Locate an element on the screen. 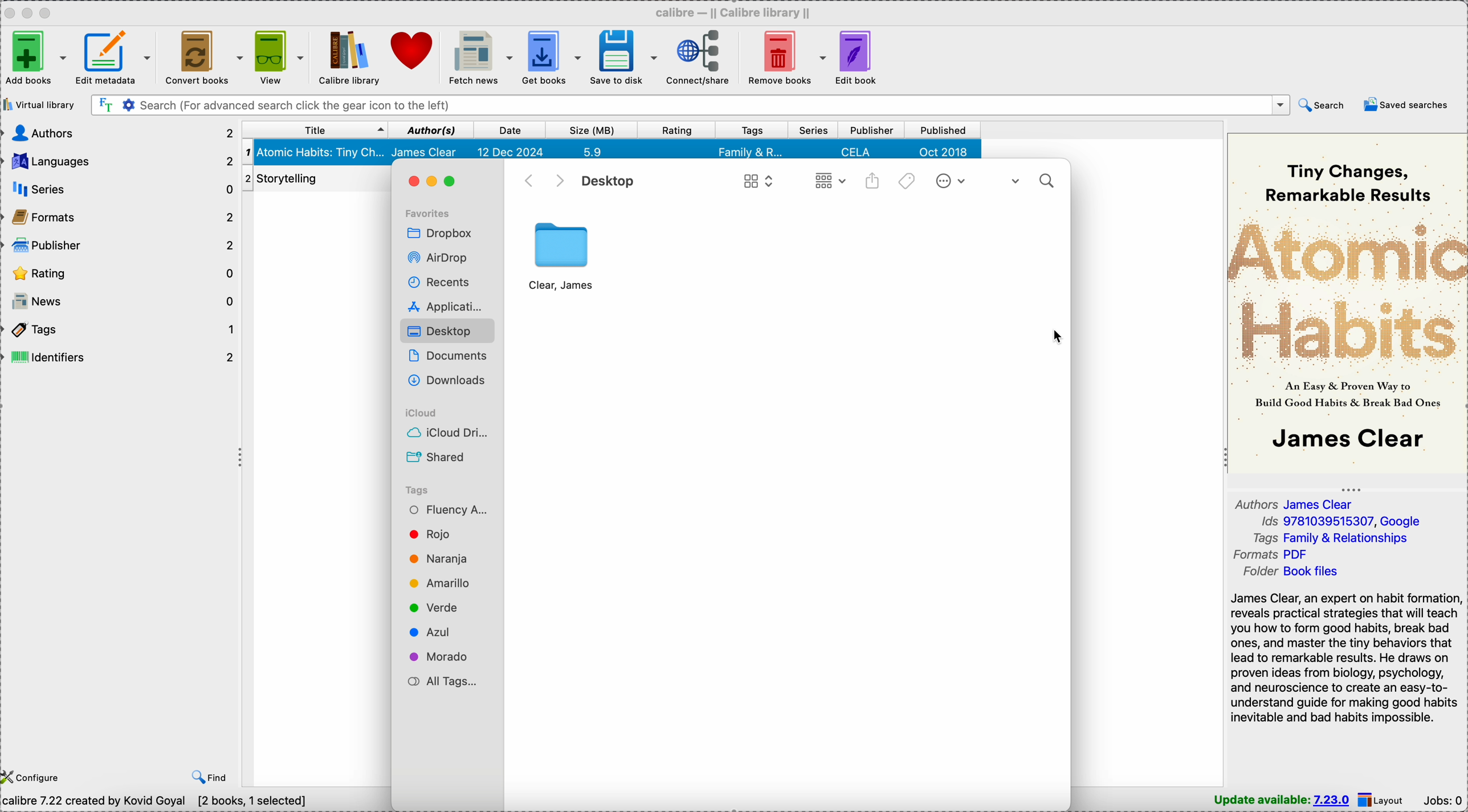 This screenshot has width=1468, height=812. donate is located at coordinates (413, 51).